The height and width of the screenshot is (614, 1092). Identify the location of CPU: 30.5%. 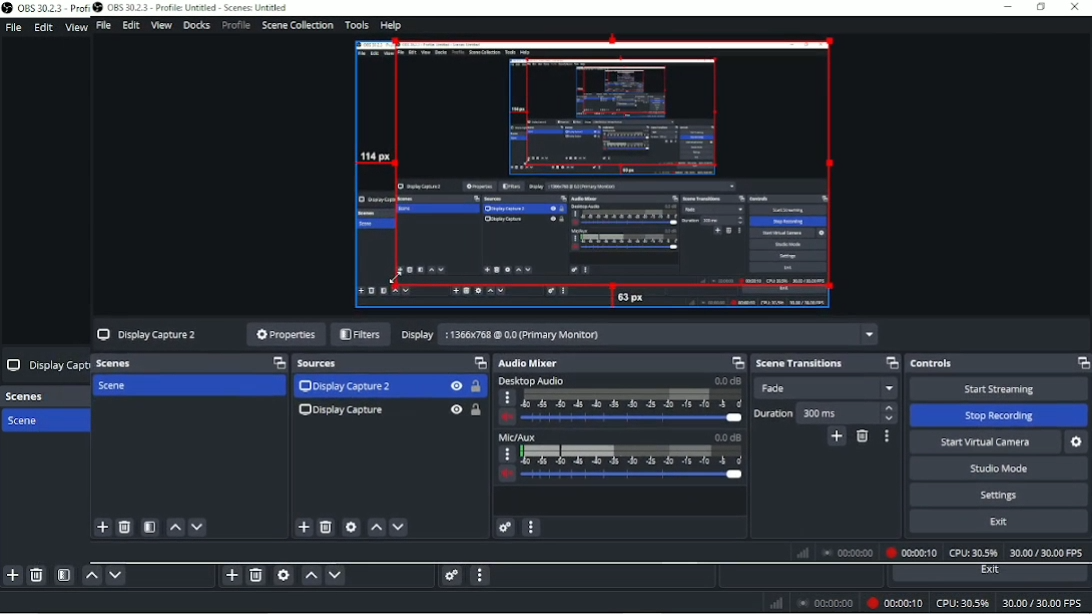
(962, 604).